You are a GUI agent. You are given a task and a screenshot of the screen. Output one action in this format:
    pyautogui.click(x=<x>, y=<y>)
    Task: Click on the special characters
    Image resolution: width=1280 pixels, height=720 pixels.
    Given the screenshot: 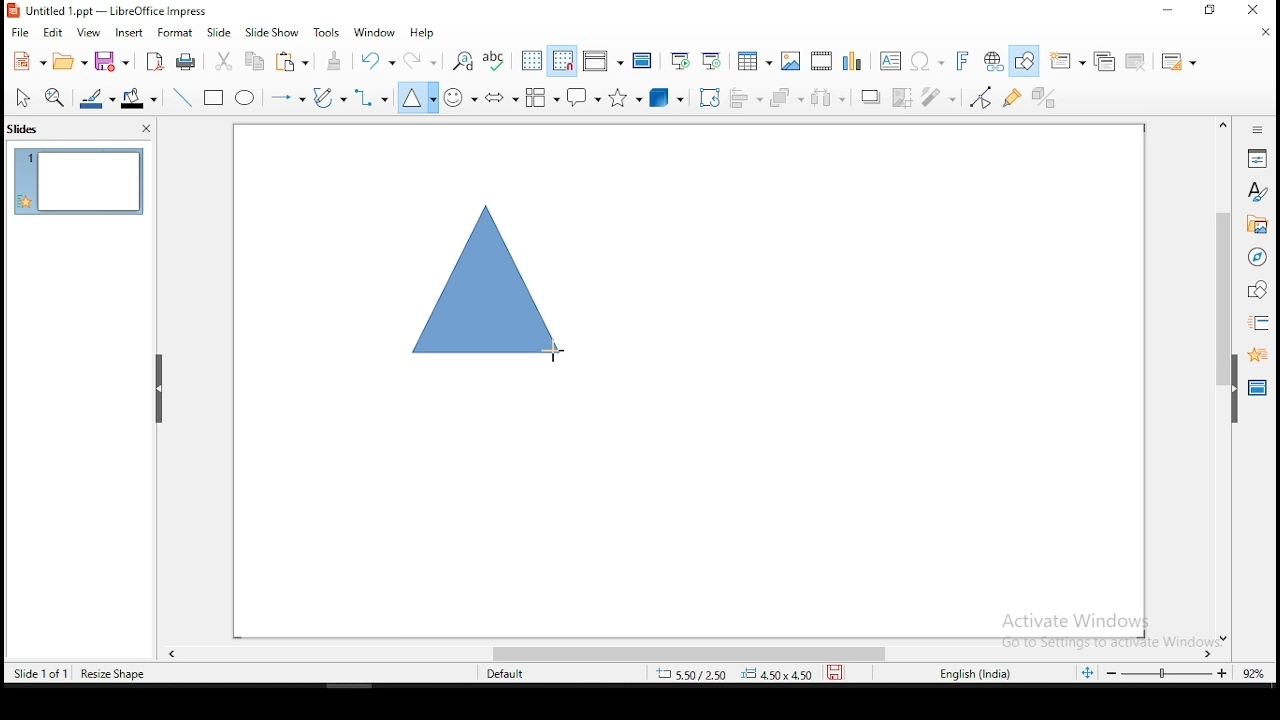 What is the action you would take?
    pyautogui.click(x=925, y=61)
    